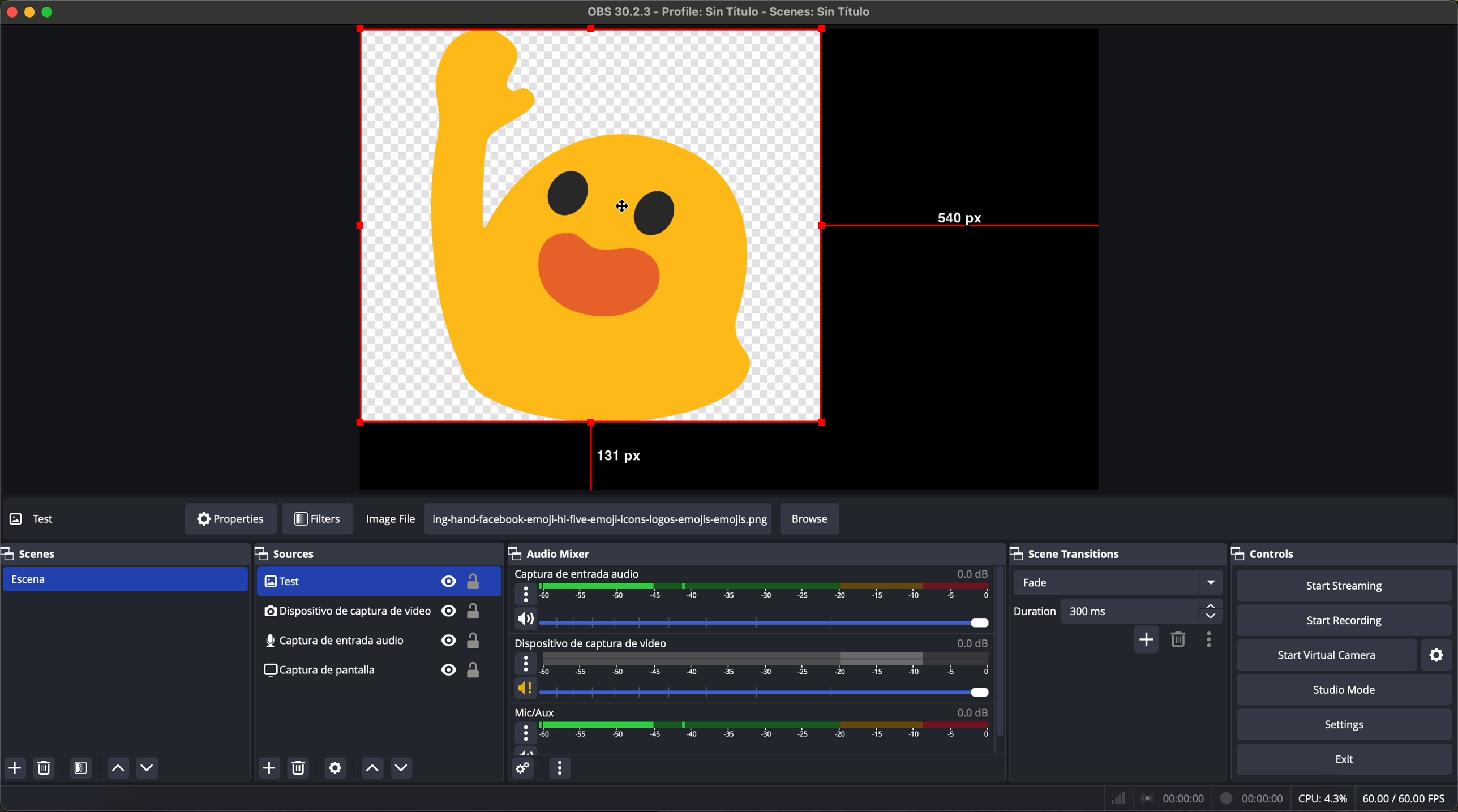  Describe the element at coordinates (974, 573) in the screenshot. I see `0.0 dB` at that location.